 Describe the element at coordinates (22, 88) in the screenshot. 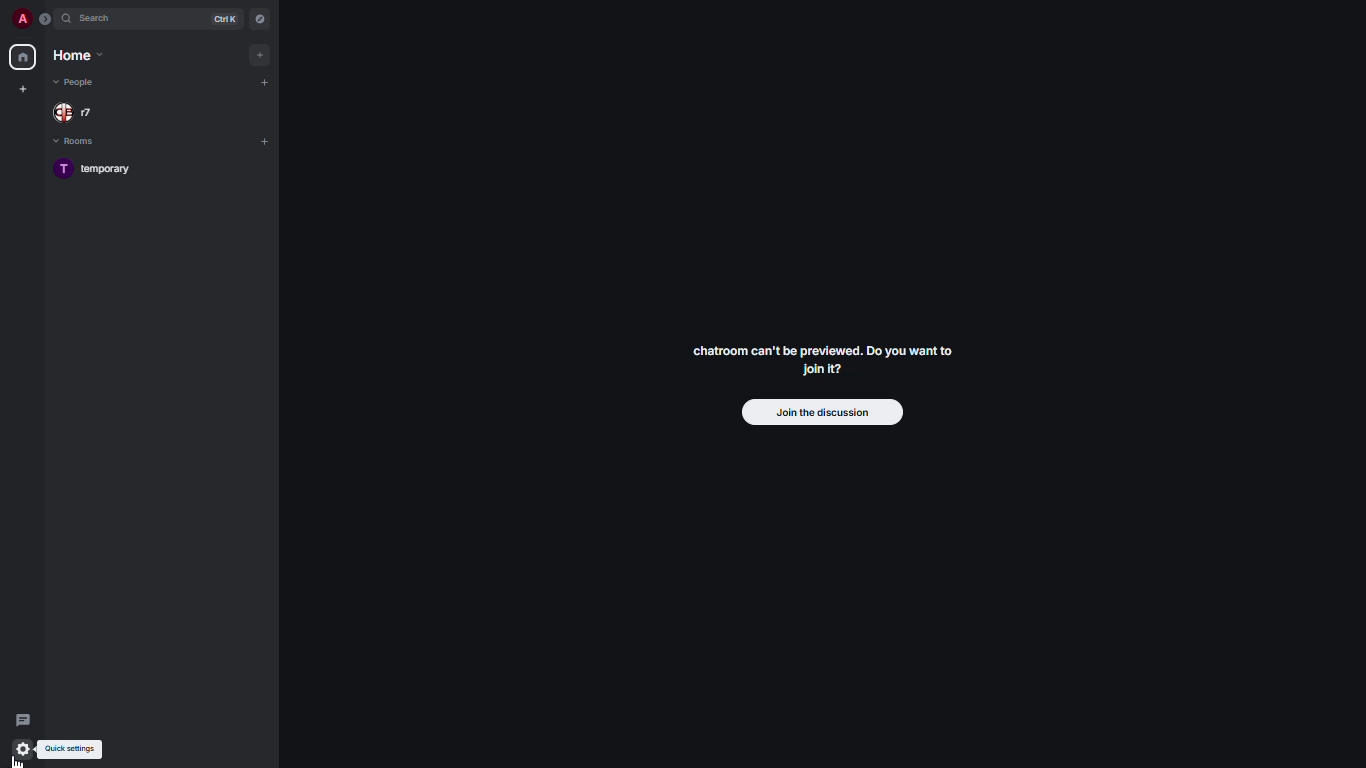

I see `create new space` at that location.